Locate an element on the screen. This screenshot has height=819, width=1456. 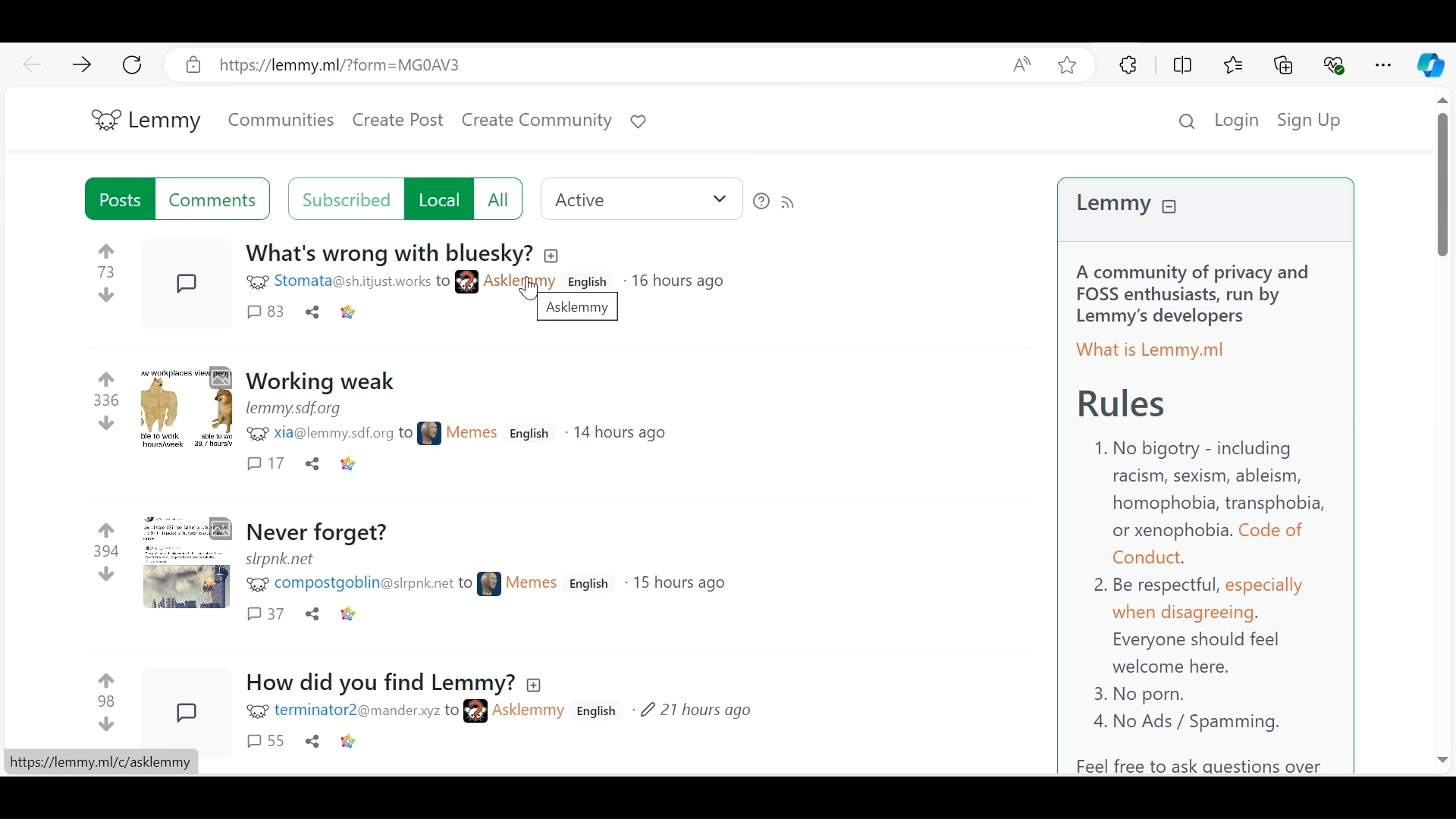
Time posted is located at coordinates (677, 281).